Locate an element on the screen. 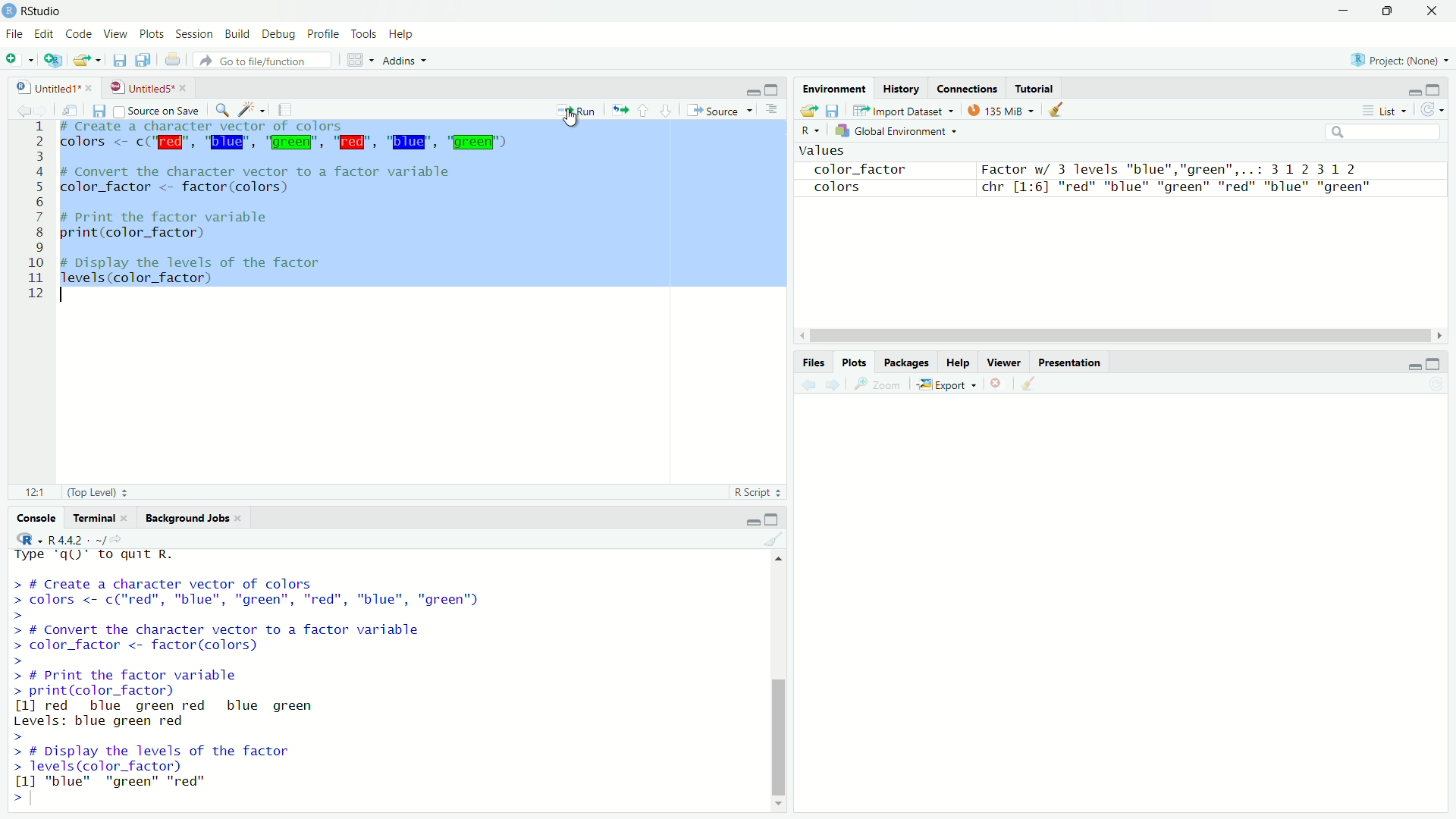  untitled1 is located at coordinates (39, 88).